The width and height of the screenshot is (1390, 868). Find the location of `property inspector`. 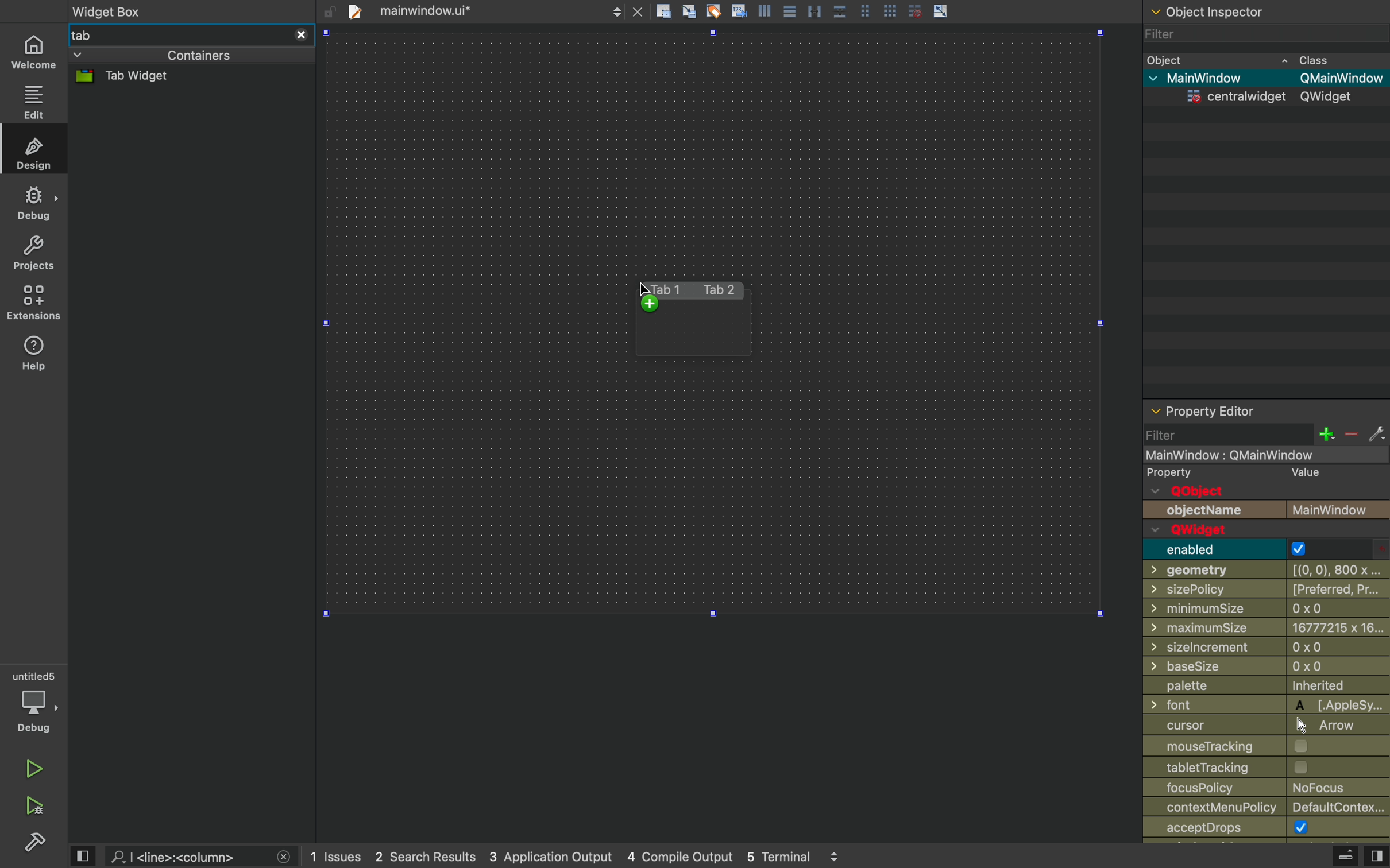

property inspector is located at coordinates (1266, 410).